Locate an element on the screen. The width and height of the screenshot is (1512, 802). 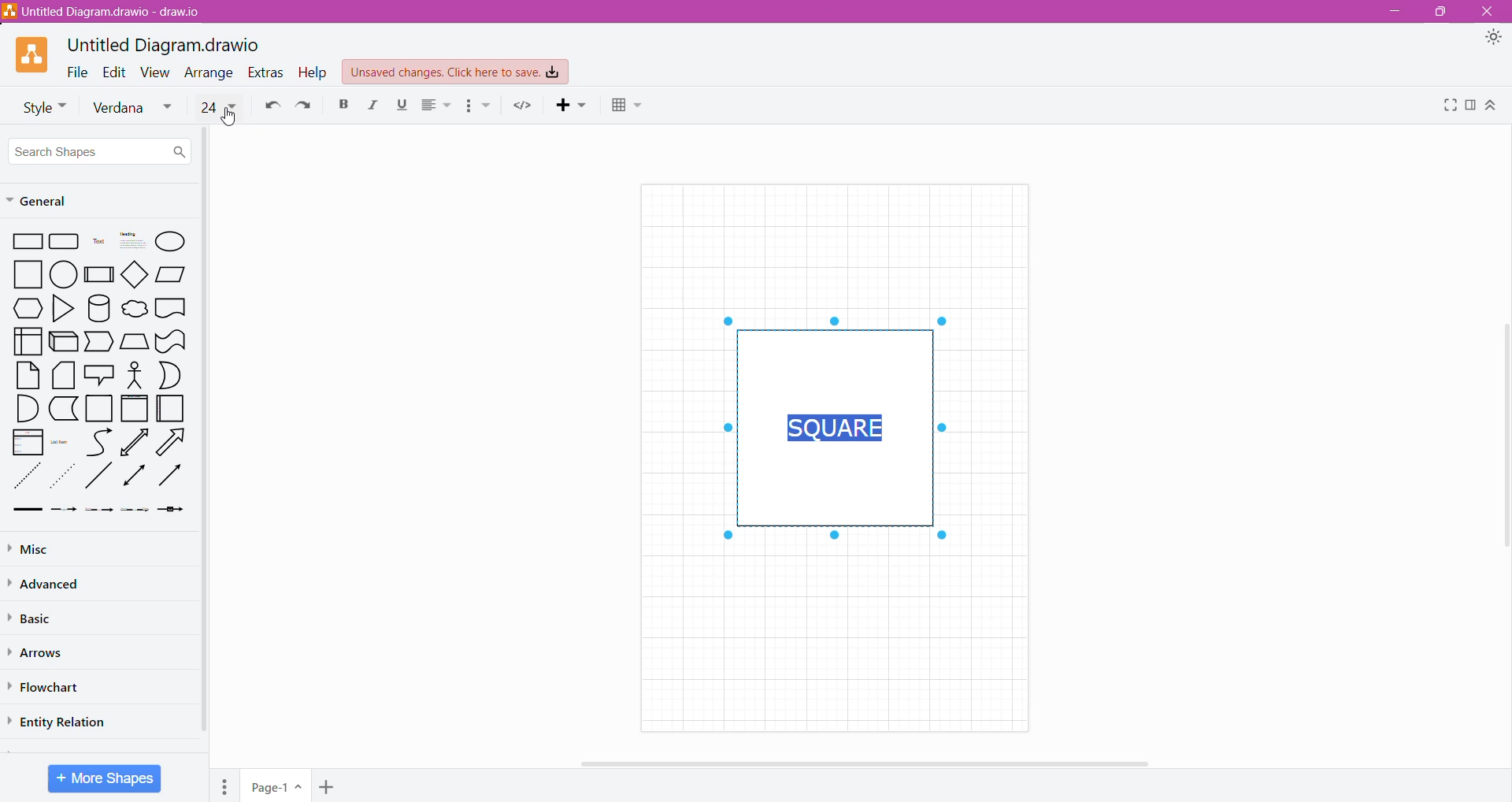
Arrange is located at coordinates (210, 73).